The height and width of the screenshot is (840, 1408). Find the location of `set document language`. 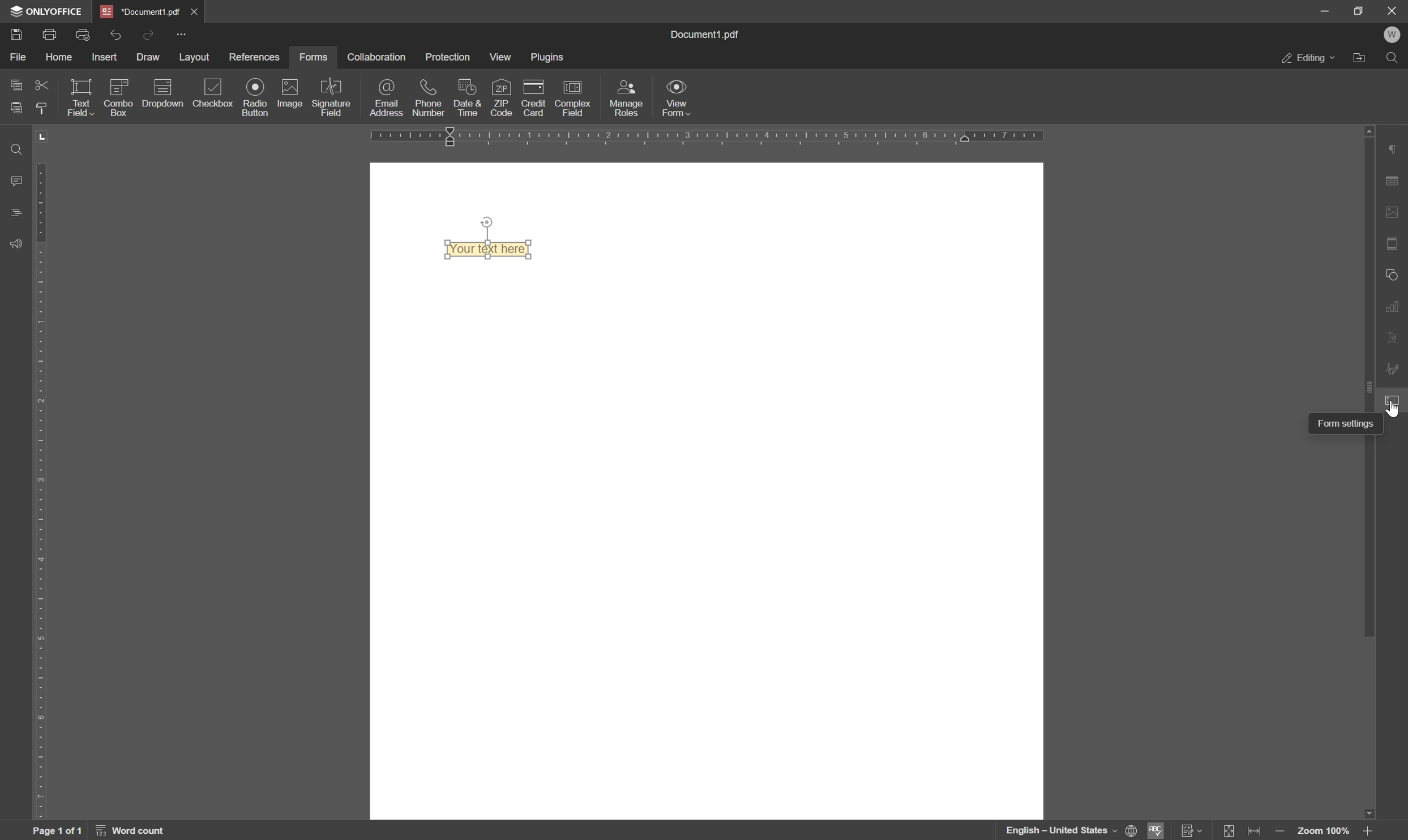

set document language is located at coordinates (1131, 832).